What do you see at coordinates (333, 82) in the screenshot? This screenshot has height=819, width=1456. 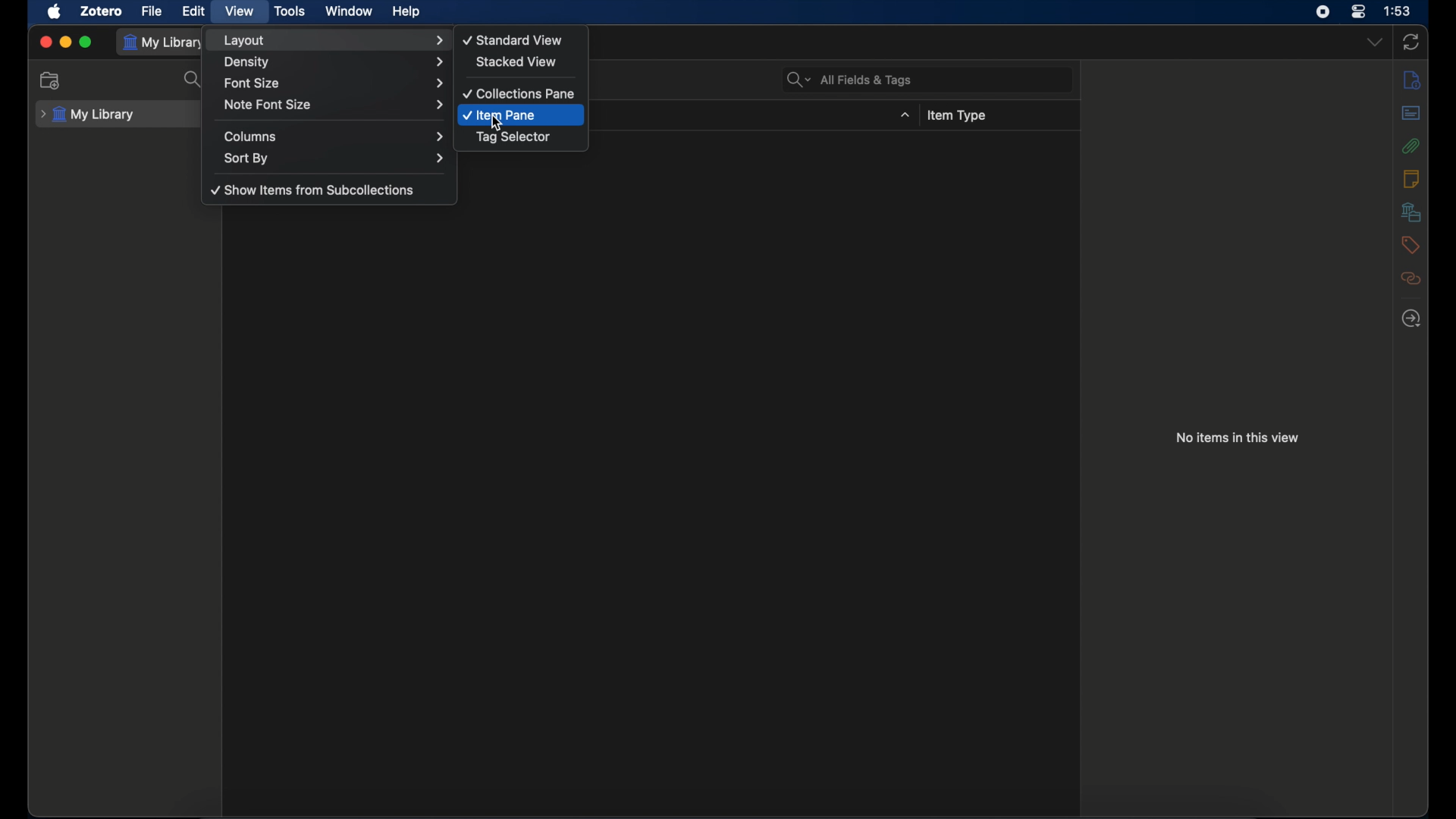 I see `font size` at bounding box center [333, 82].